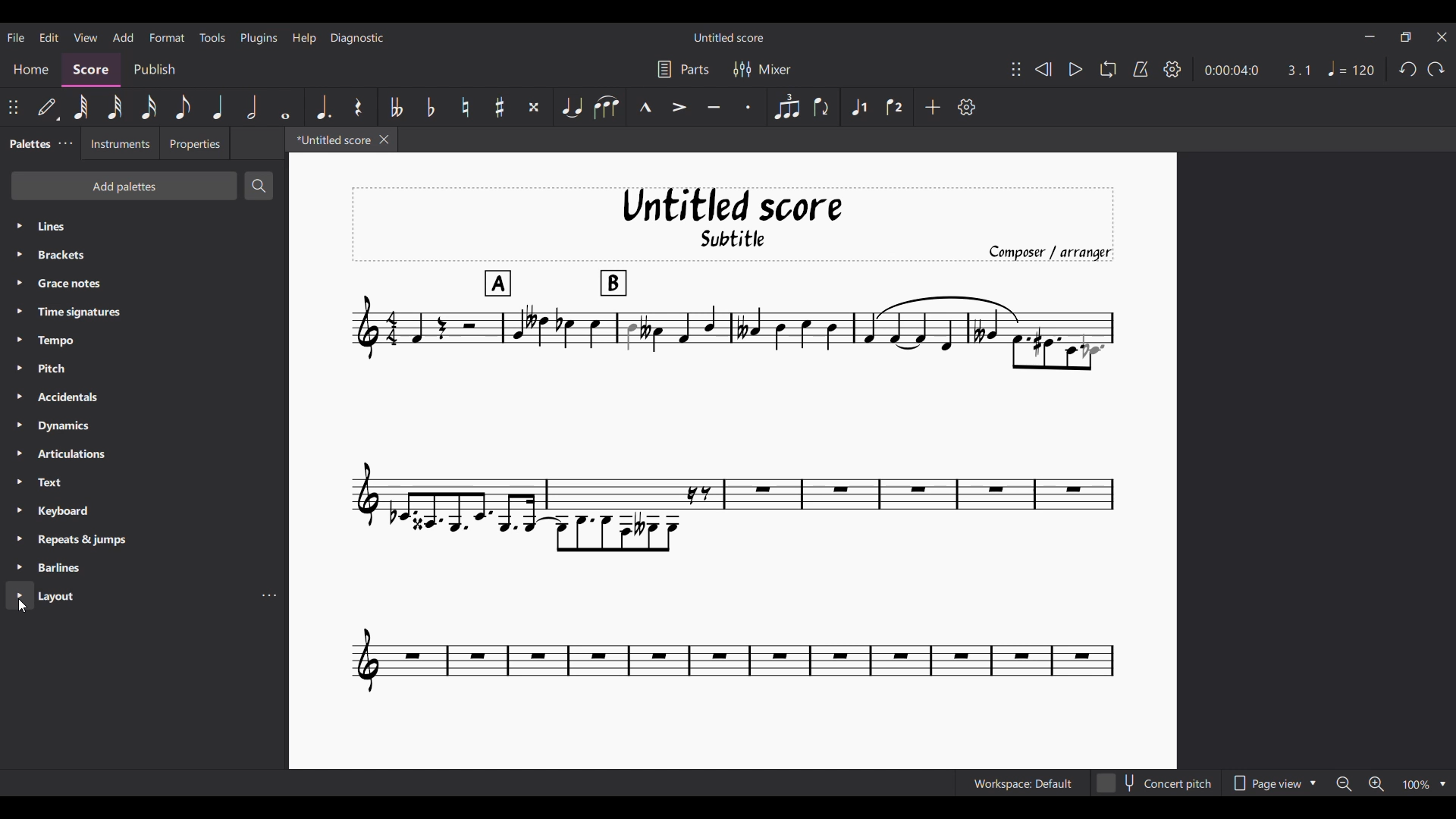 This screenshot has height=819, width=1456. Describe the element at coordinates (143, 255) in the screenshot. I see `Brackets` at that location.